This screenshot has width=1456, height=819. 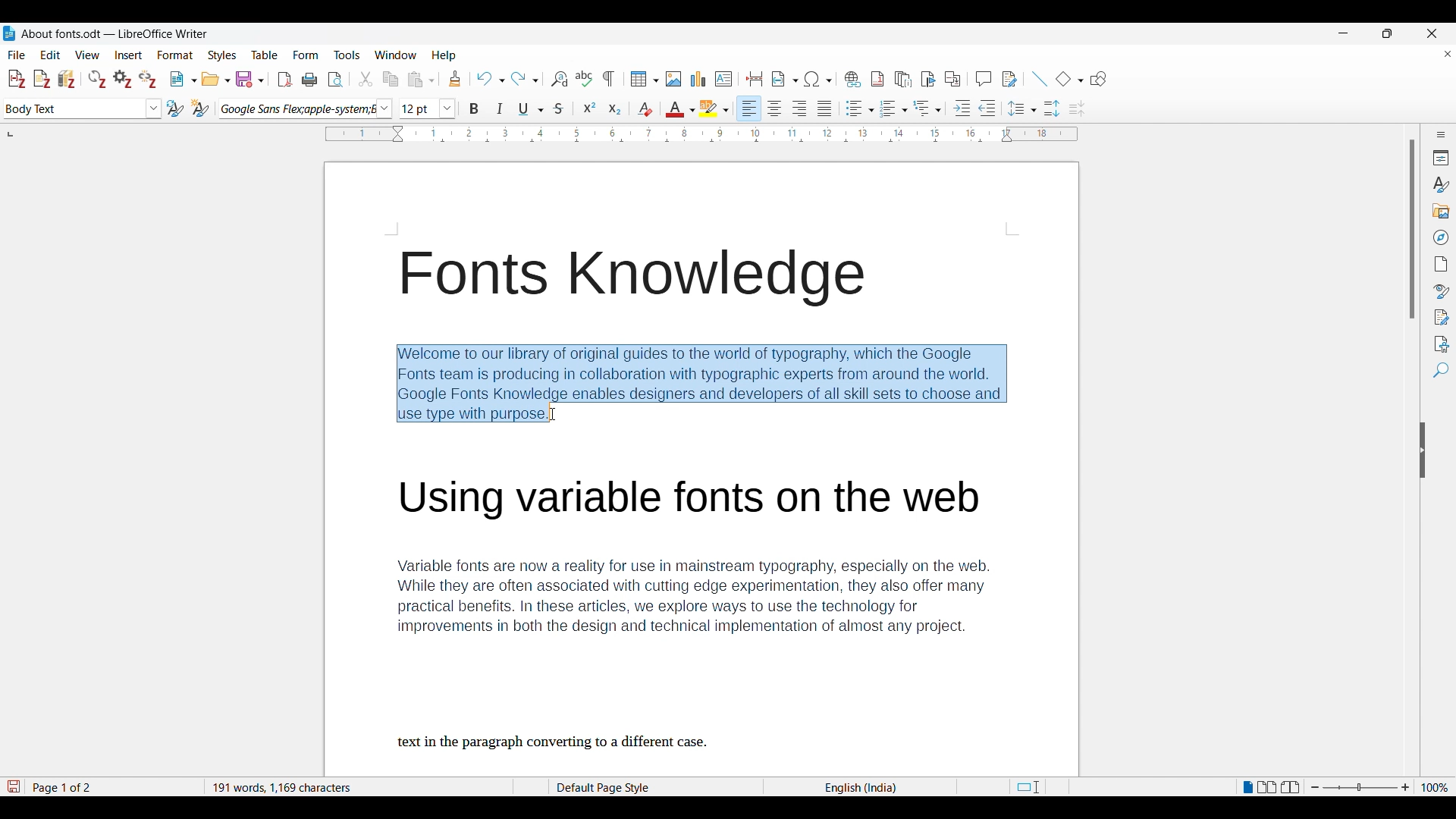 What do you see at coordinates (1442, 134) in the screenshot?
I see `Sidebar settings` at bounding box center [1442, 134].